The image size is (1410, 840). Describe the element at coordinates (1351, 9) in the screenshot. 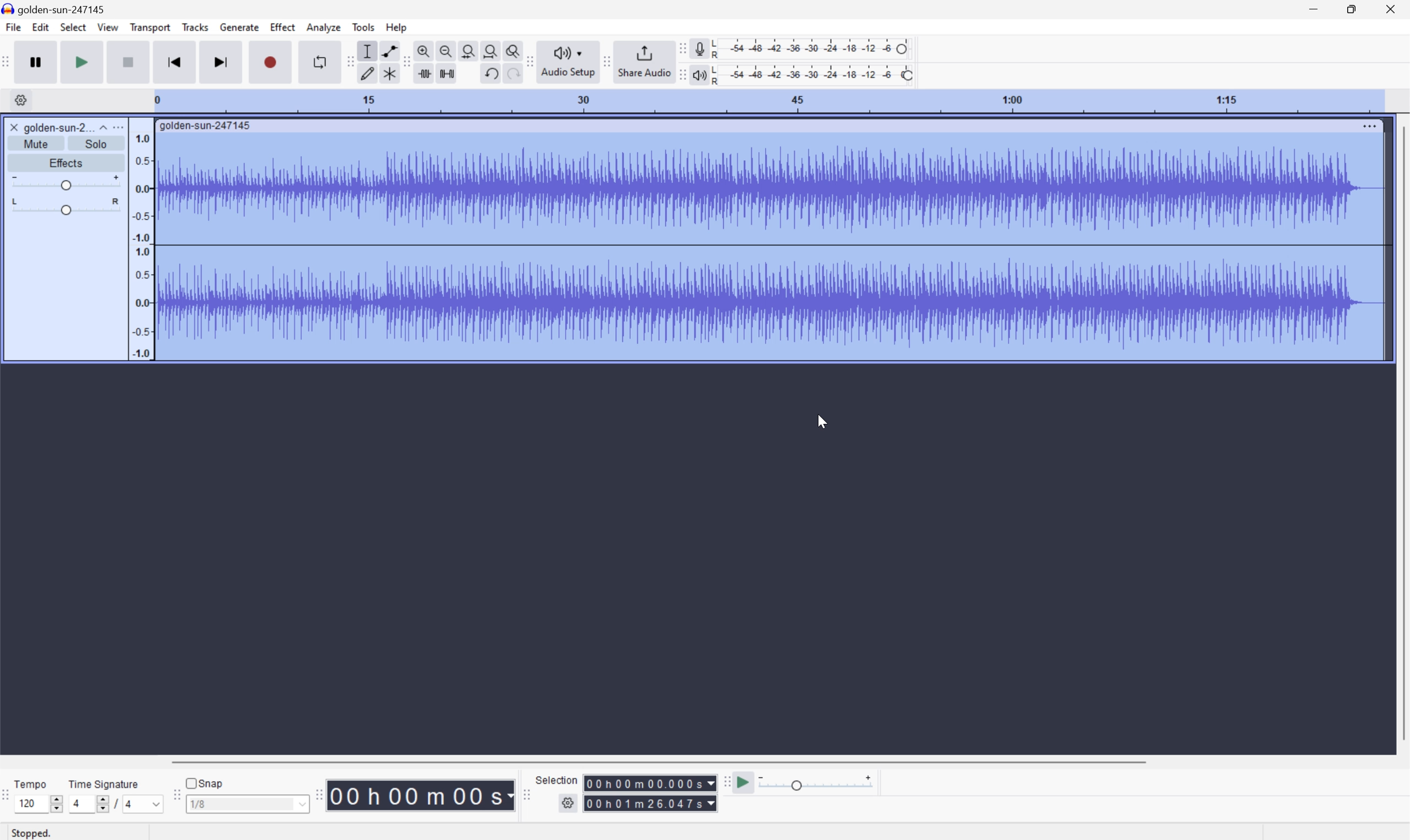

I see `Restore Down` at that location.